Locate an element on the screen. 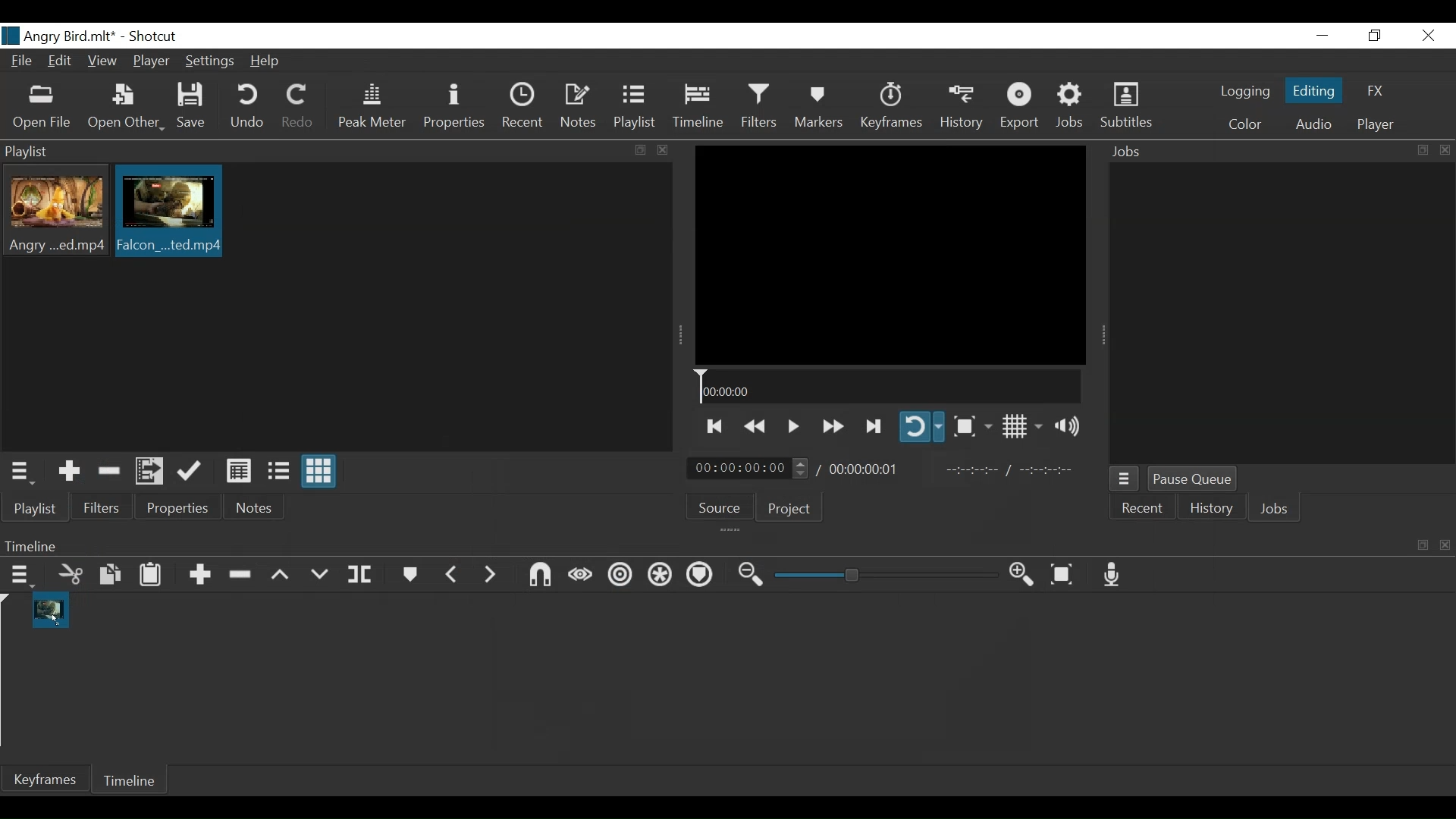 Image resolution: width=1456 pixels, height=819 pixels. Properties is located at coordinates (175, 507).